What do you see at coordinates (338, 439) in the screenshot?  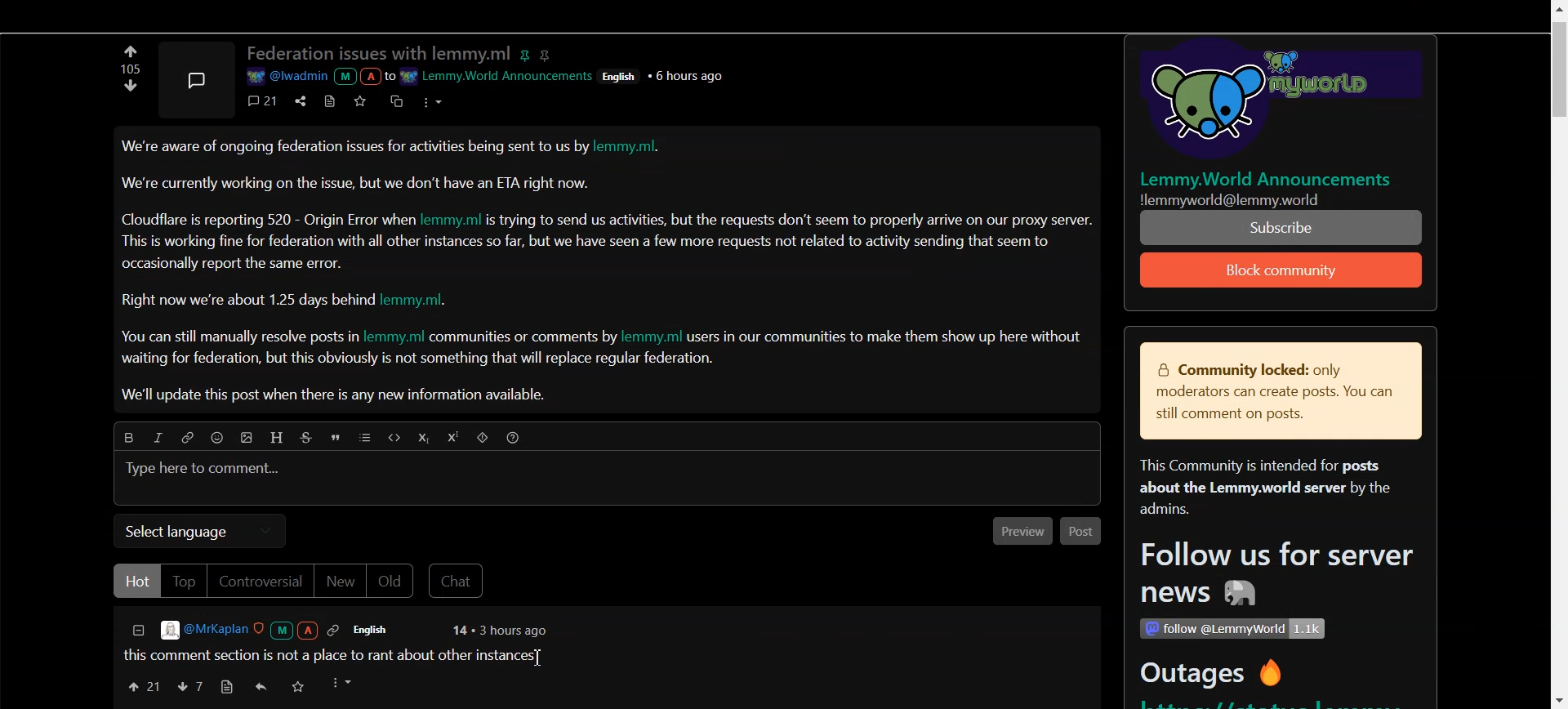 I see `Quote` at bounding box center [338, 439].